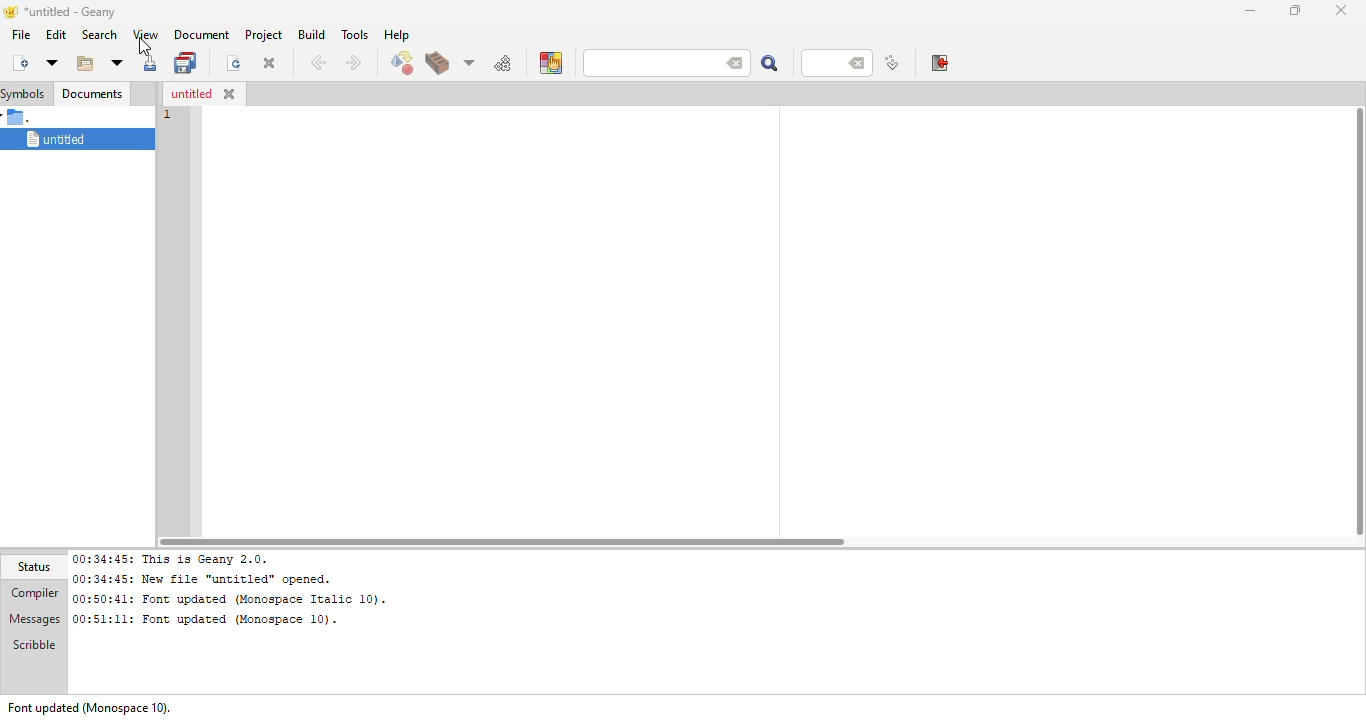 The width and height of the screenshot is (1366, 720). I want to click on untitled, so click(53, 138).